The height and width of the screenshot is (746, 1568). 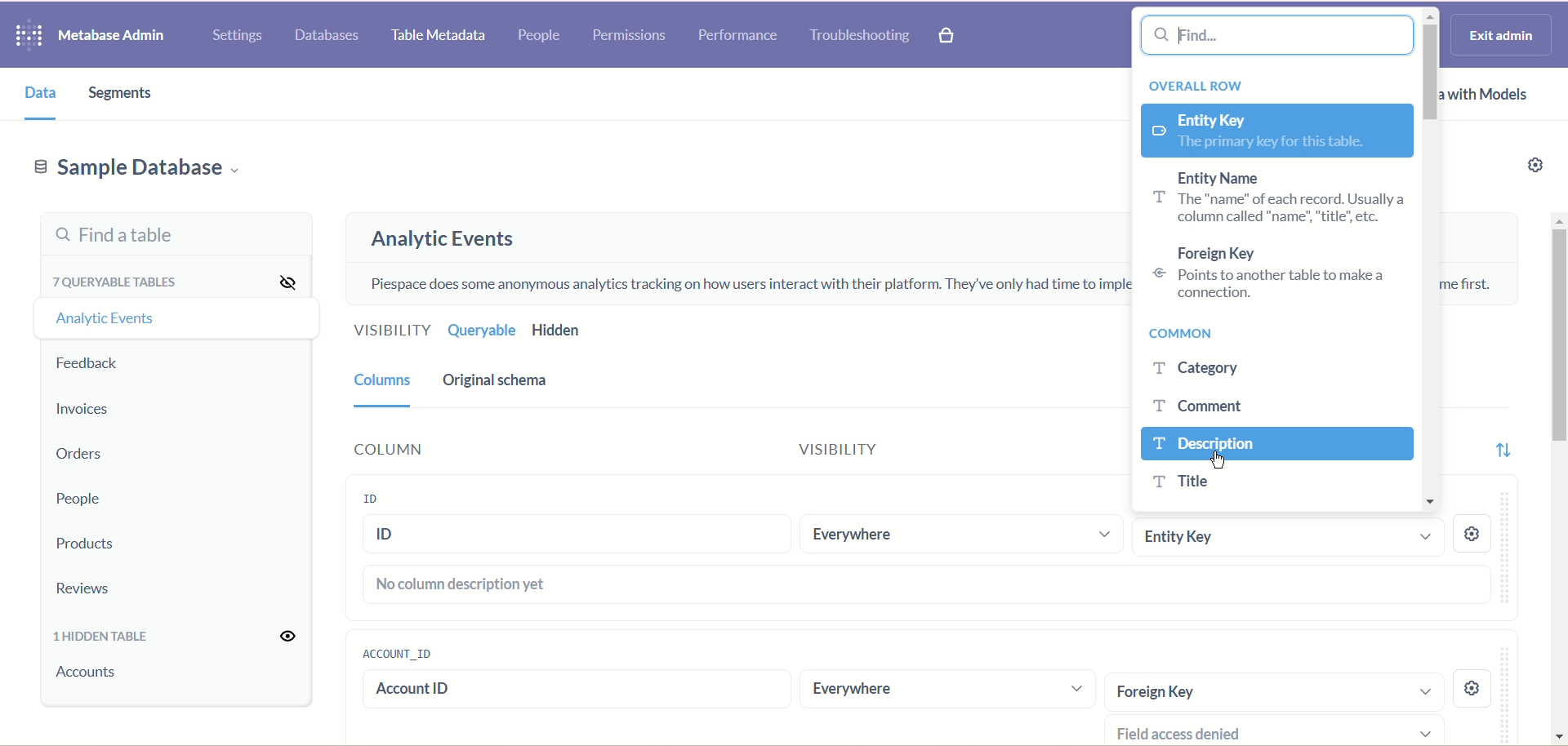 What do you see at coordinates (1291, 538) in the screenshot?
I see `entity key` at bounding box center [1291, 538].